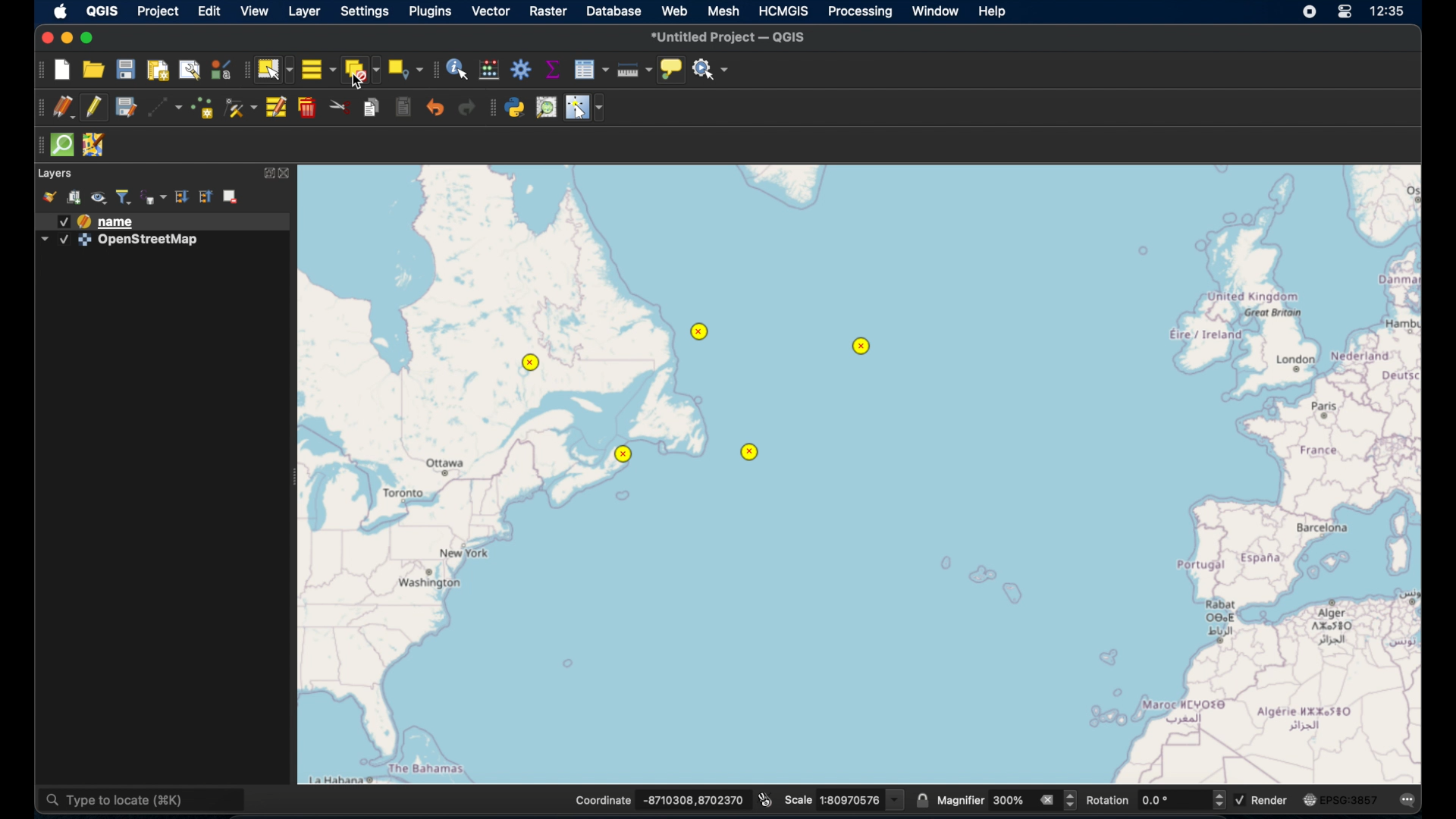 This screenshot has height=819, width=1456. I want to click on 12:35, so click(1389, 11).